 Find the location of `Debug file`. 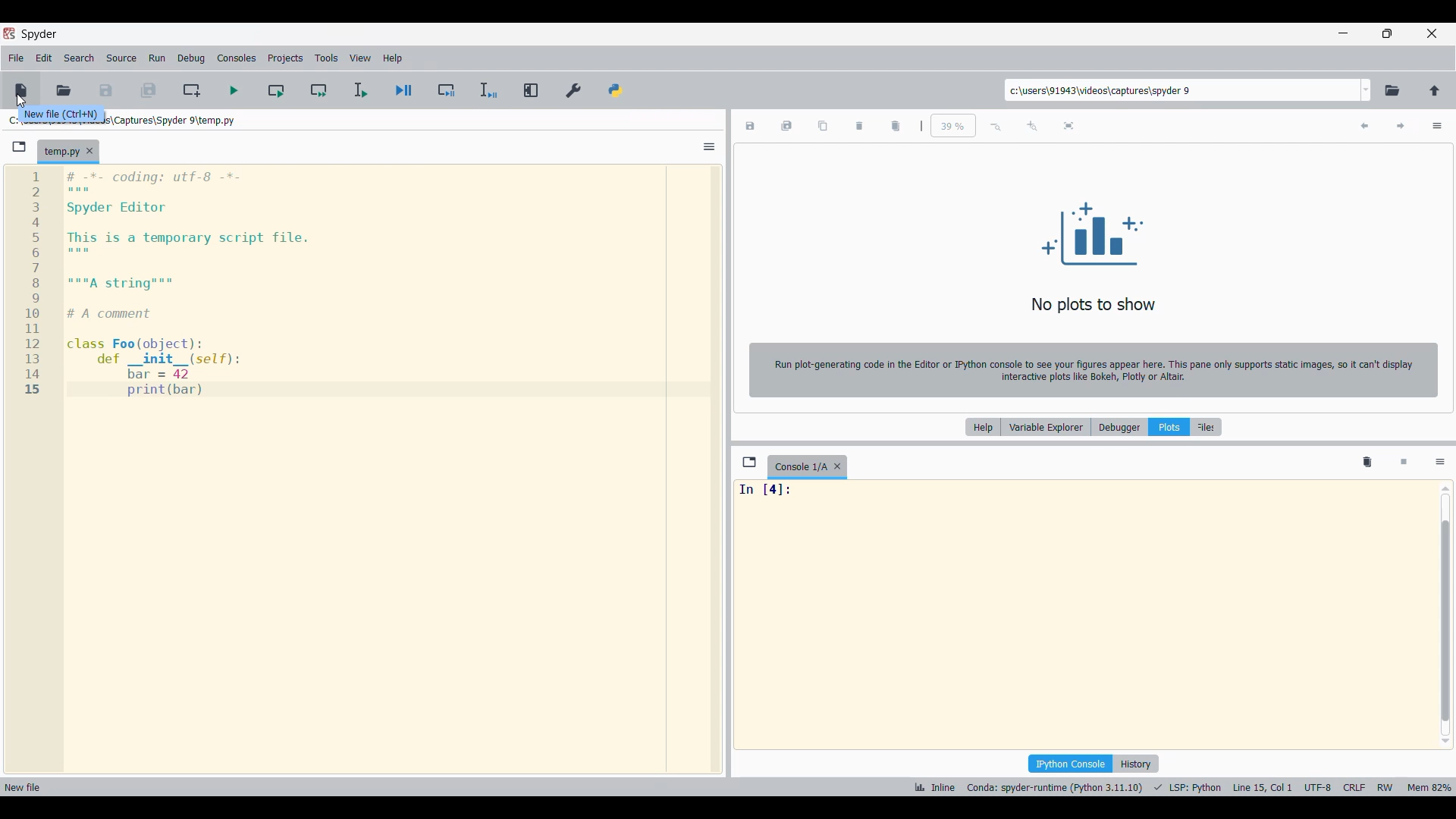

Debug file is located at coordinates (404, 90).